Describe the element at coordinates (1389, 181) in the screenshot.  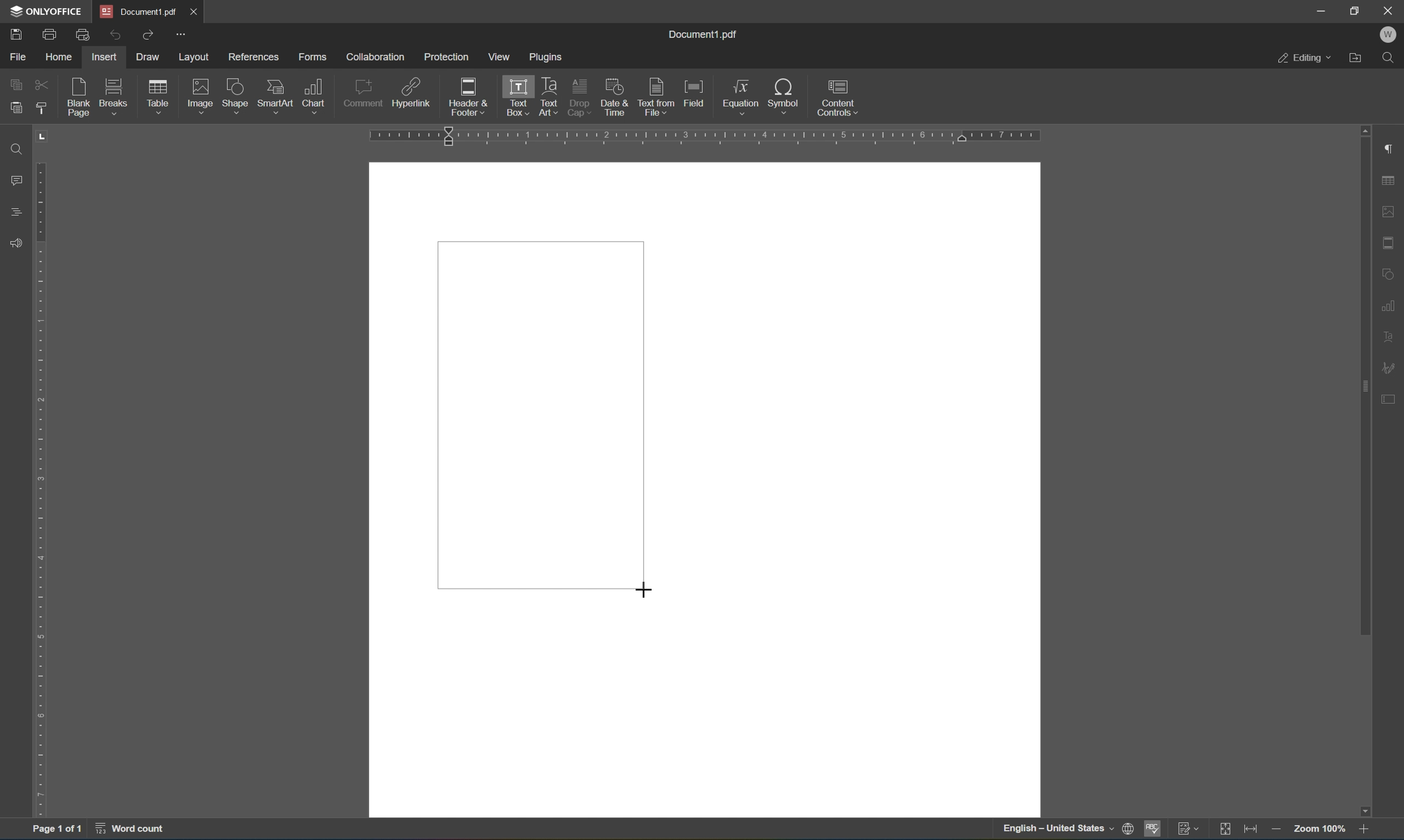
I see `Table settings` at that location.